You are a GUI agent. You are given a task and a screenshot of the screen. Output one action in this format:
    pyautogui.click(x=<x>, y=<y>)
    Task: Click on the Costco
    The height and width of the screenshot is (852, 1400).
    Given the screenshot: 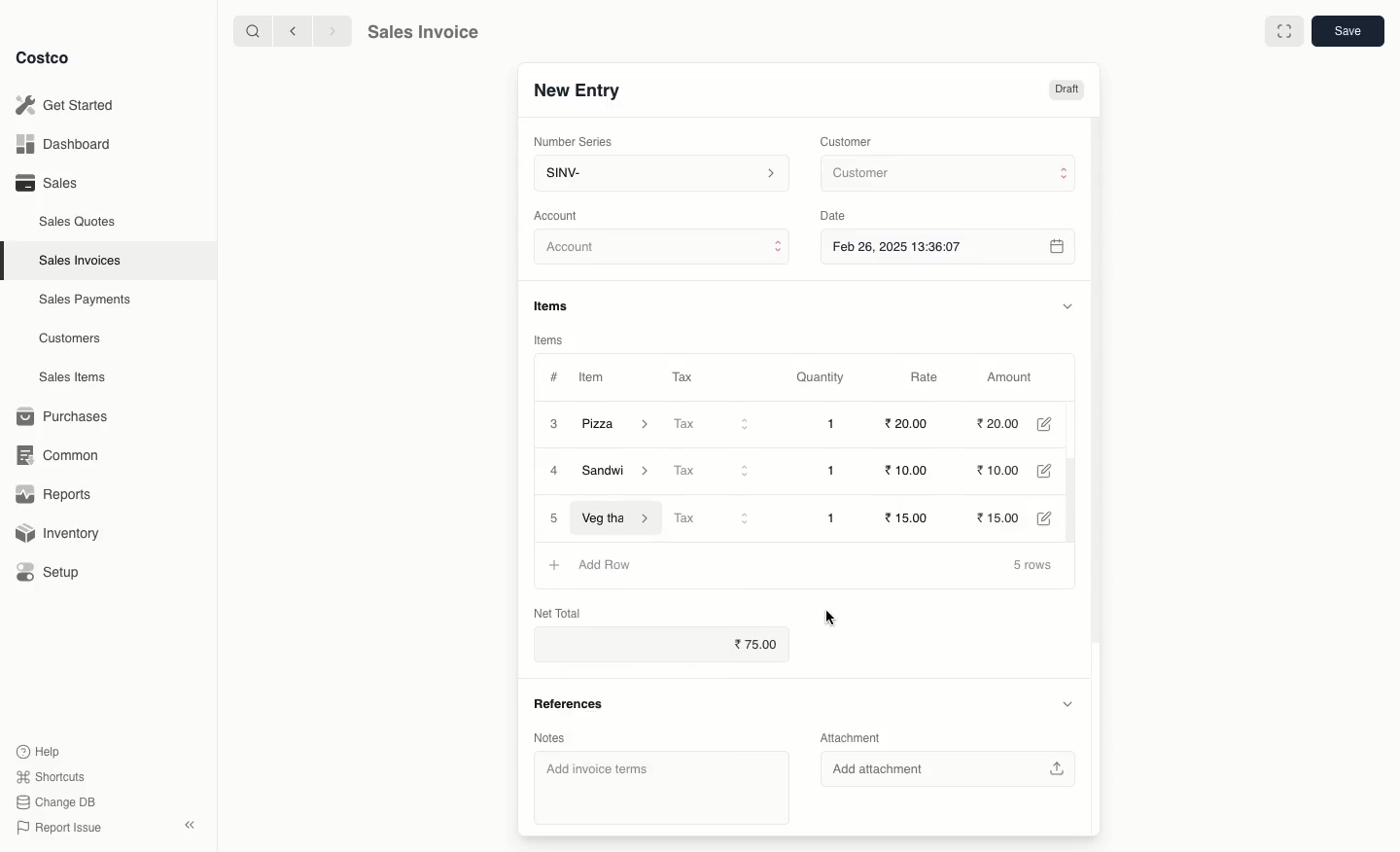 What is the action you would take?
    pyautogui.click(x=48, y=58)
    